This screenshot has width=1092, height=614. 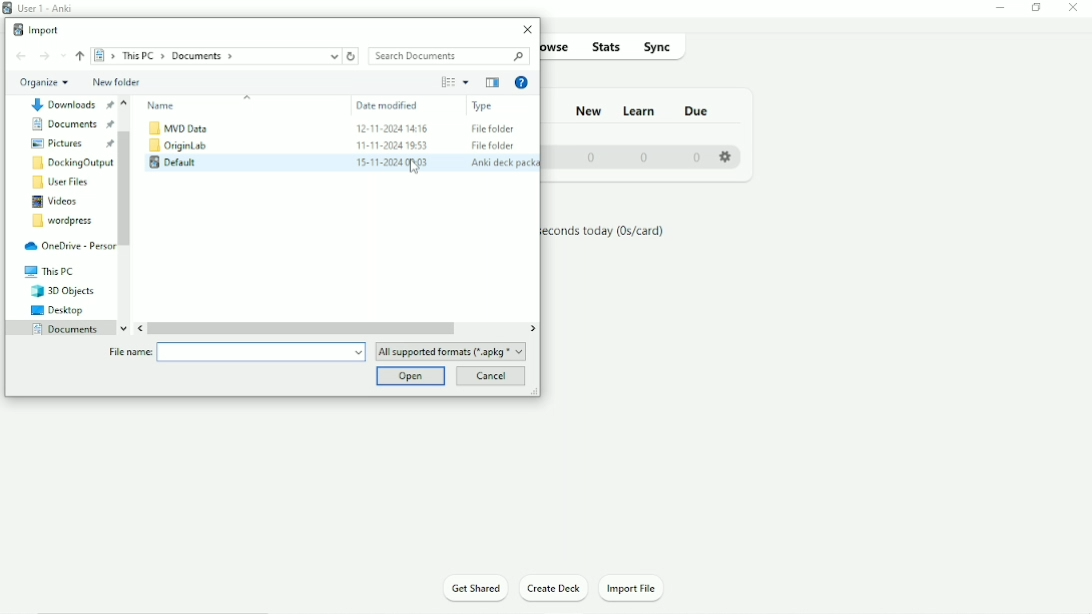 What do you see at coordinates (72, 163) in the screenshot?
I see `DockingOutput` at bounding box center [72, 163].